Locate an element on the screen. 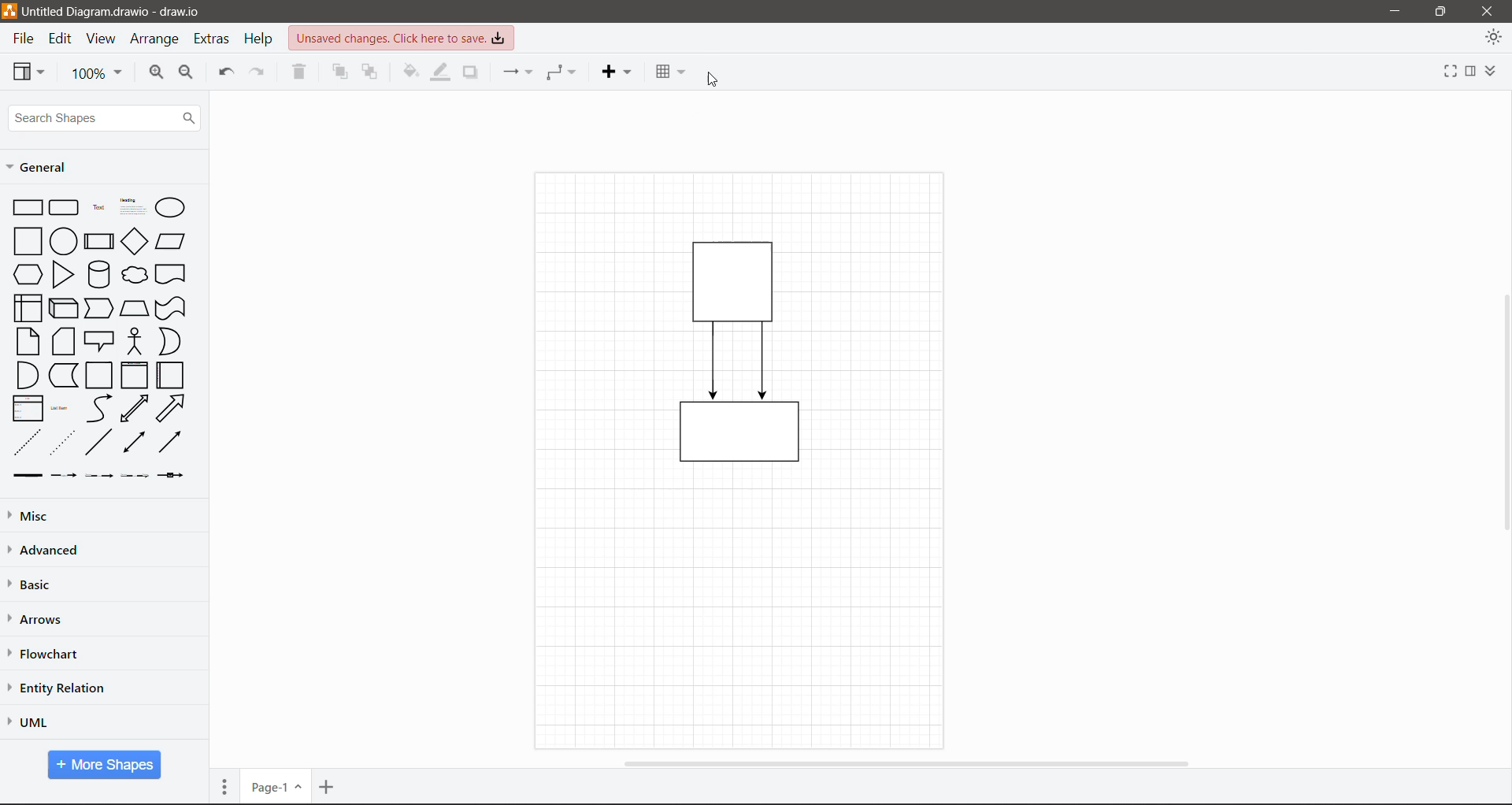 This screenshot has height=805, width=1512. Cloud is located at coordinates (135, 275).